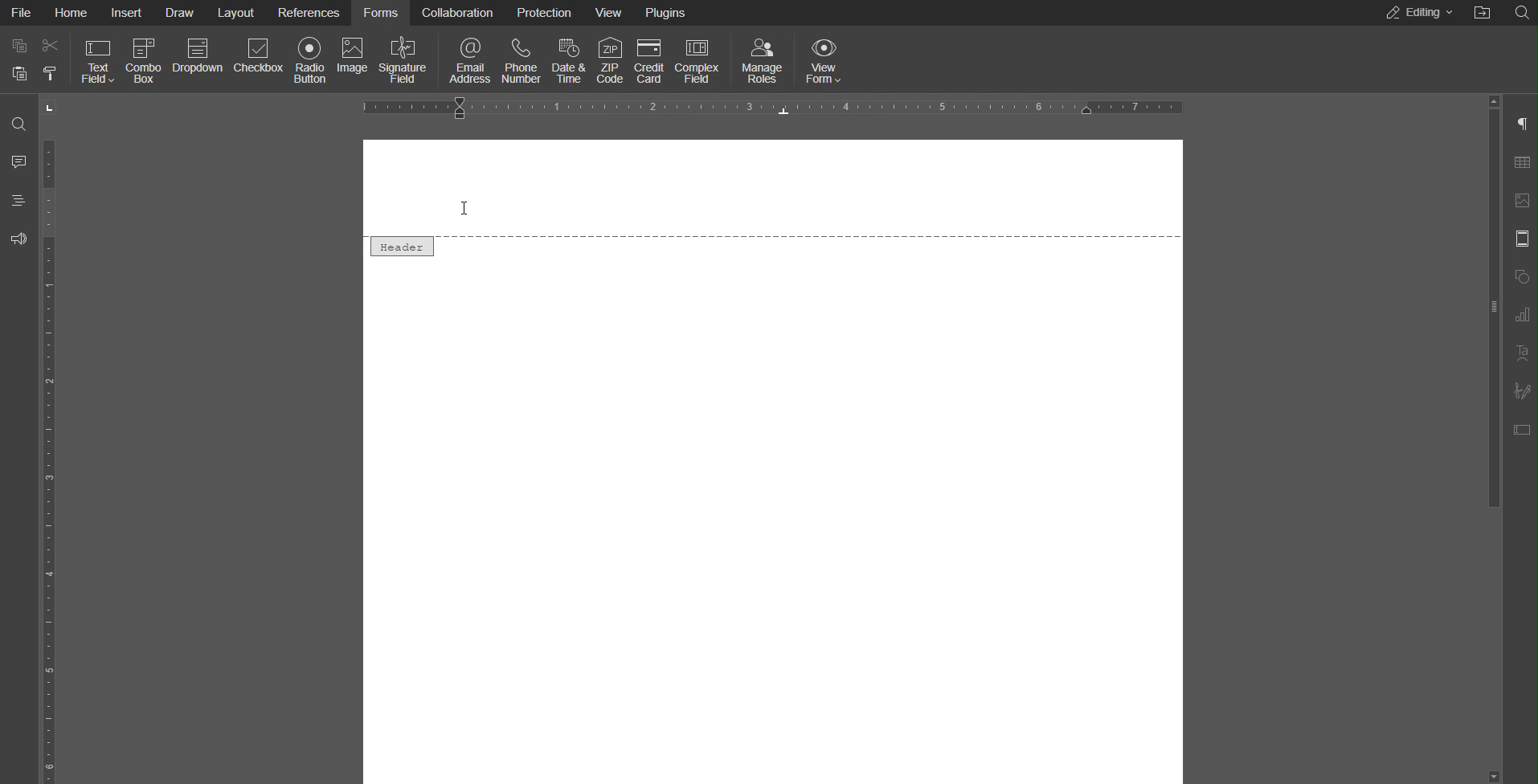 The image size is (1538, 784). I want to click on Graph Settings, so click(1517, 315).